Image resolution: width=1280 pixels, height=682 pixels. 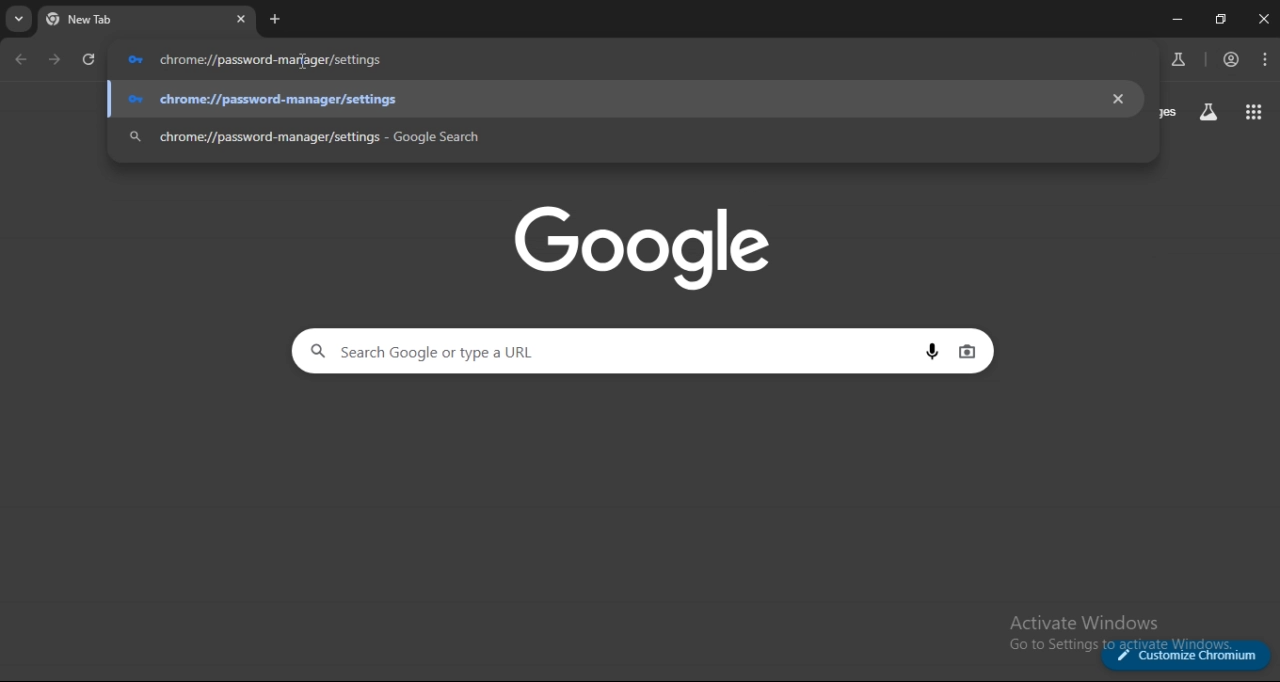 What do you see at coordinates (1233, 59) in the screenshot?
I see `account` at bounding box center [1233, 59].